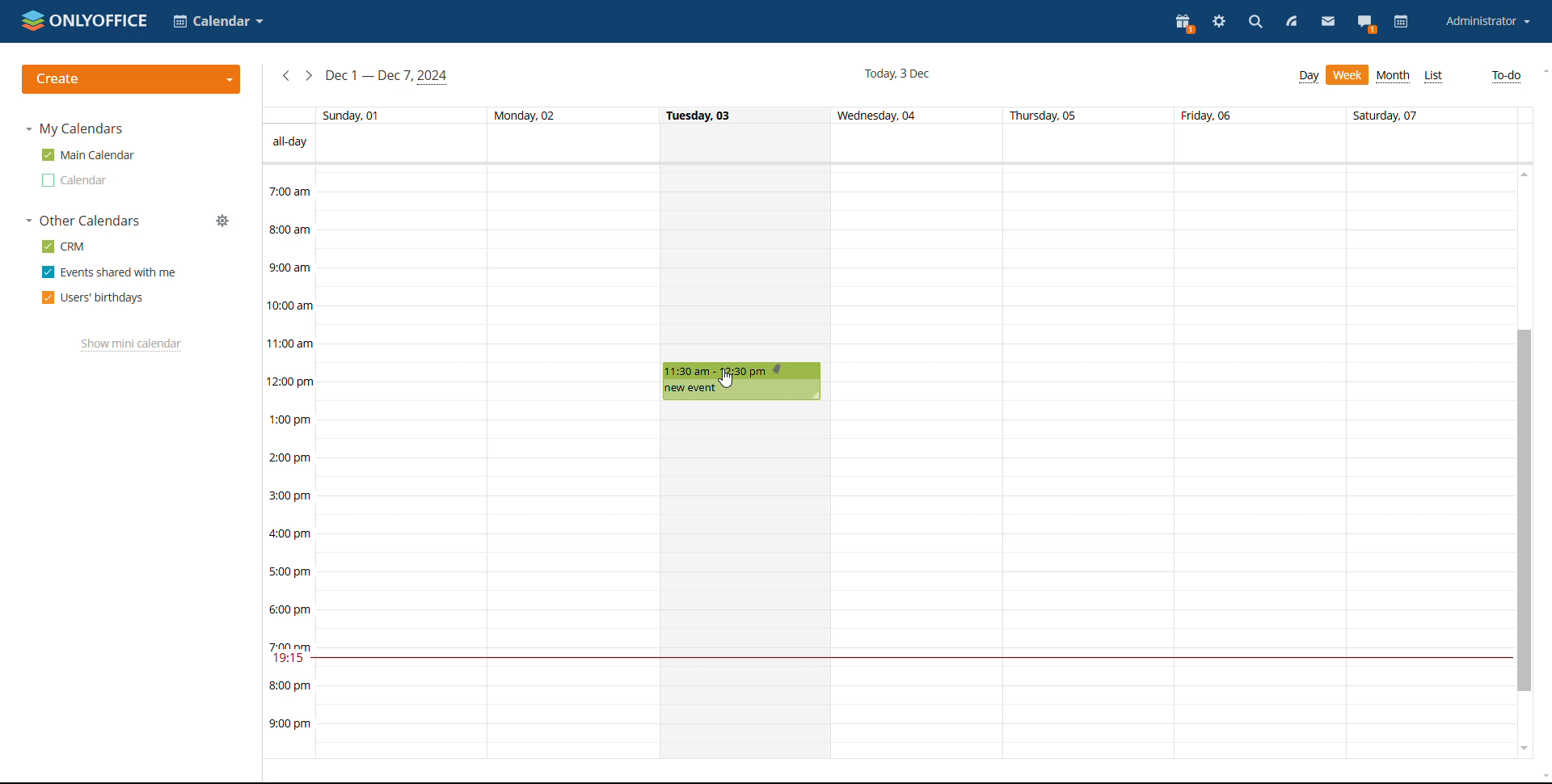  What do you see at coordinates (1390, 114) in the screenshot?
I see `Saturday, 07` at bounding box center [1390, 114].